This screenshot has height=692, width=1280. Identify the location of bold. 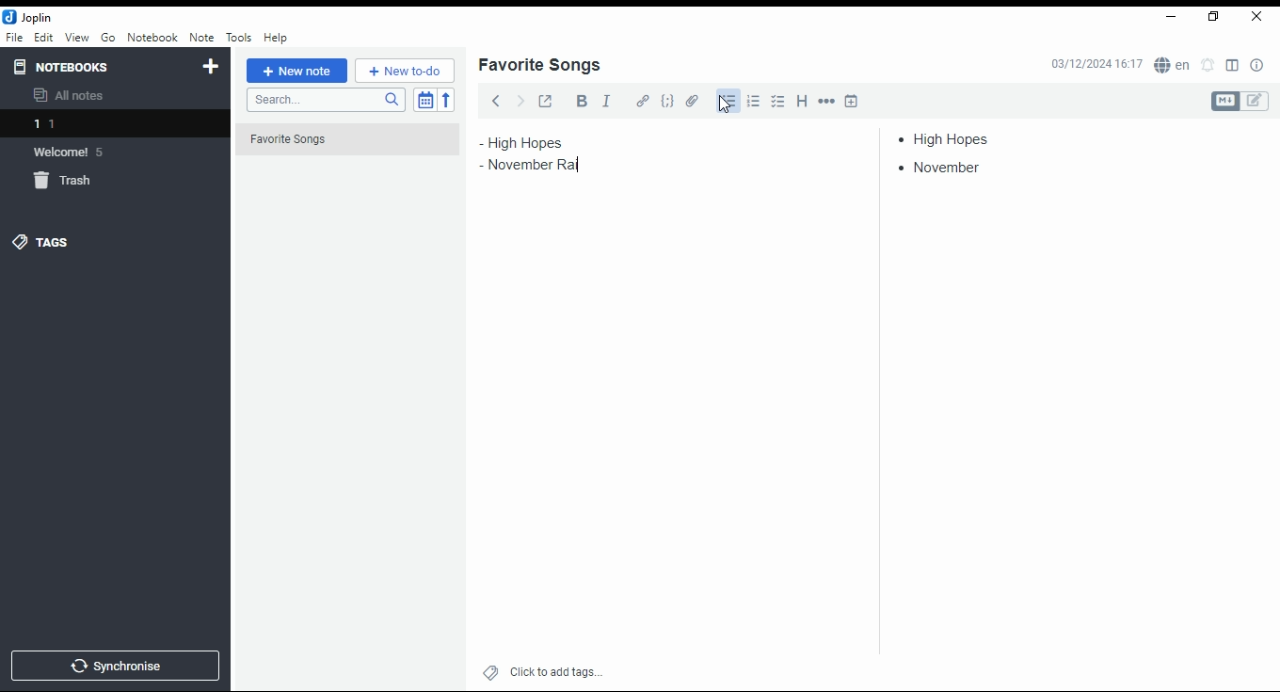
(581, 101).